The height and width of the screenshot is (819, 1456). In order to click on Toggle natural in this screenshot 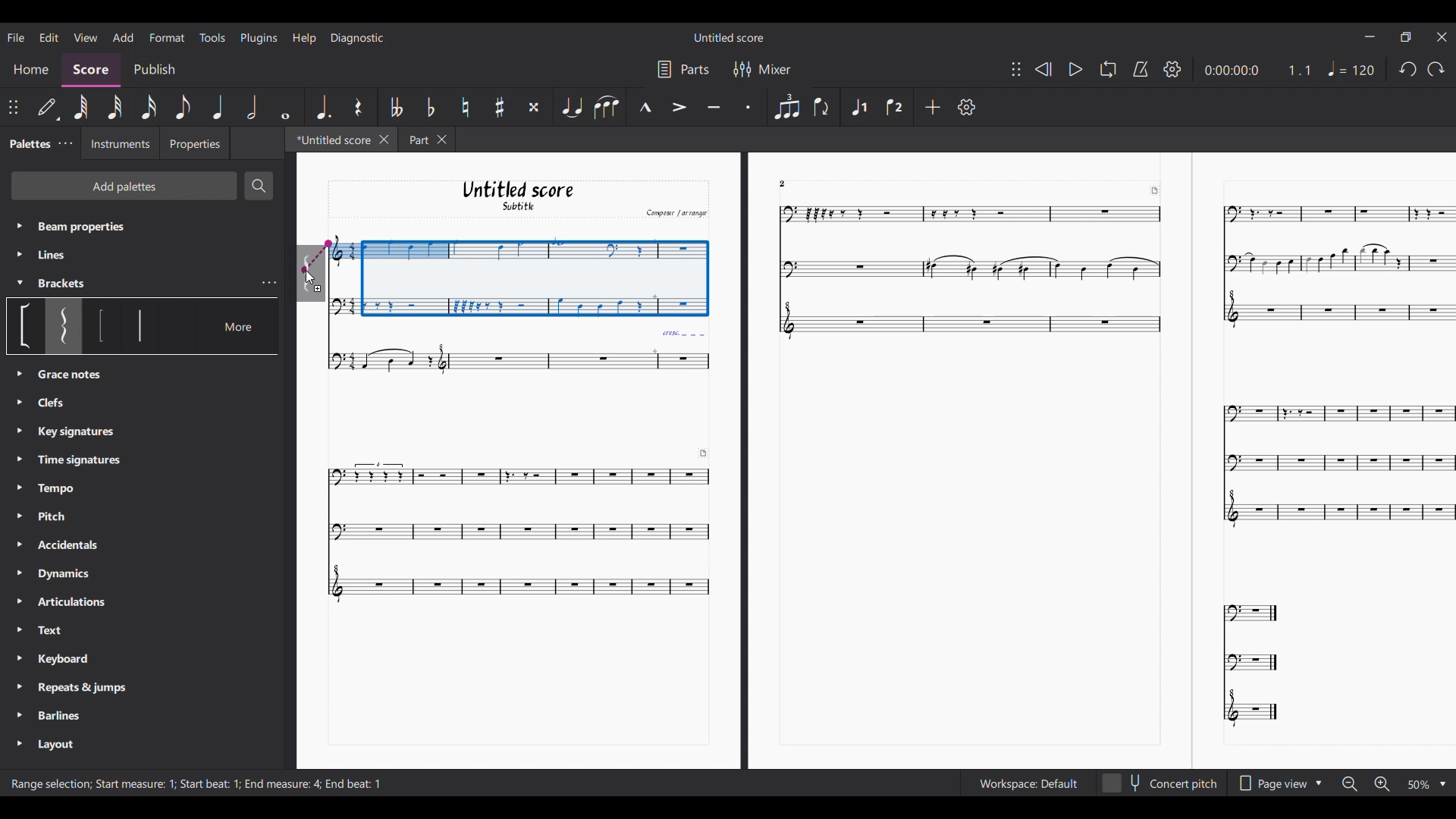, I will do `click(465, 107)`.